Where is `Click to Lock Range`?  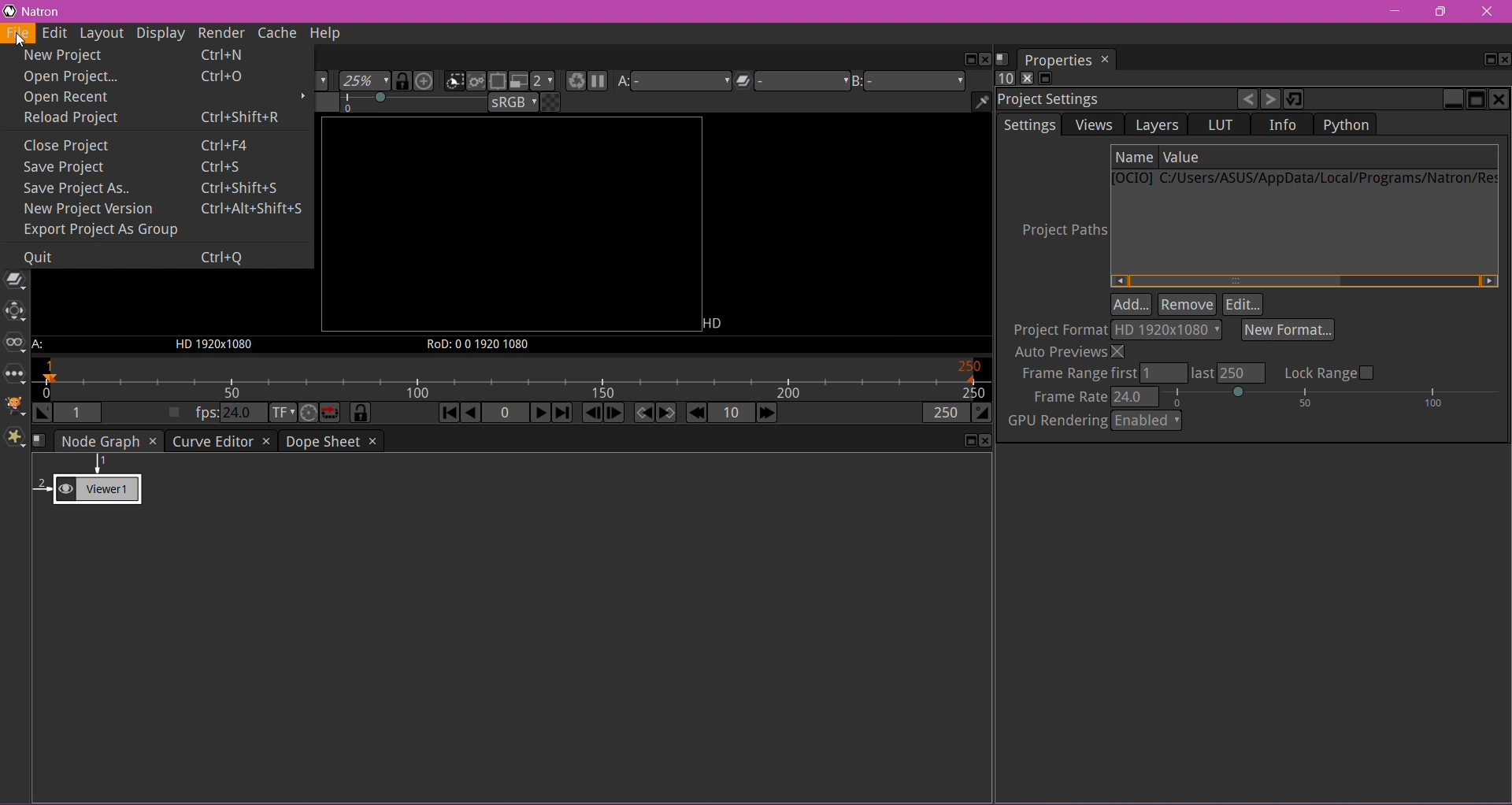 Click to Lock Range is located at coordinates (1329, 373).